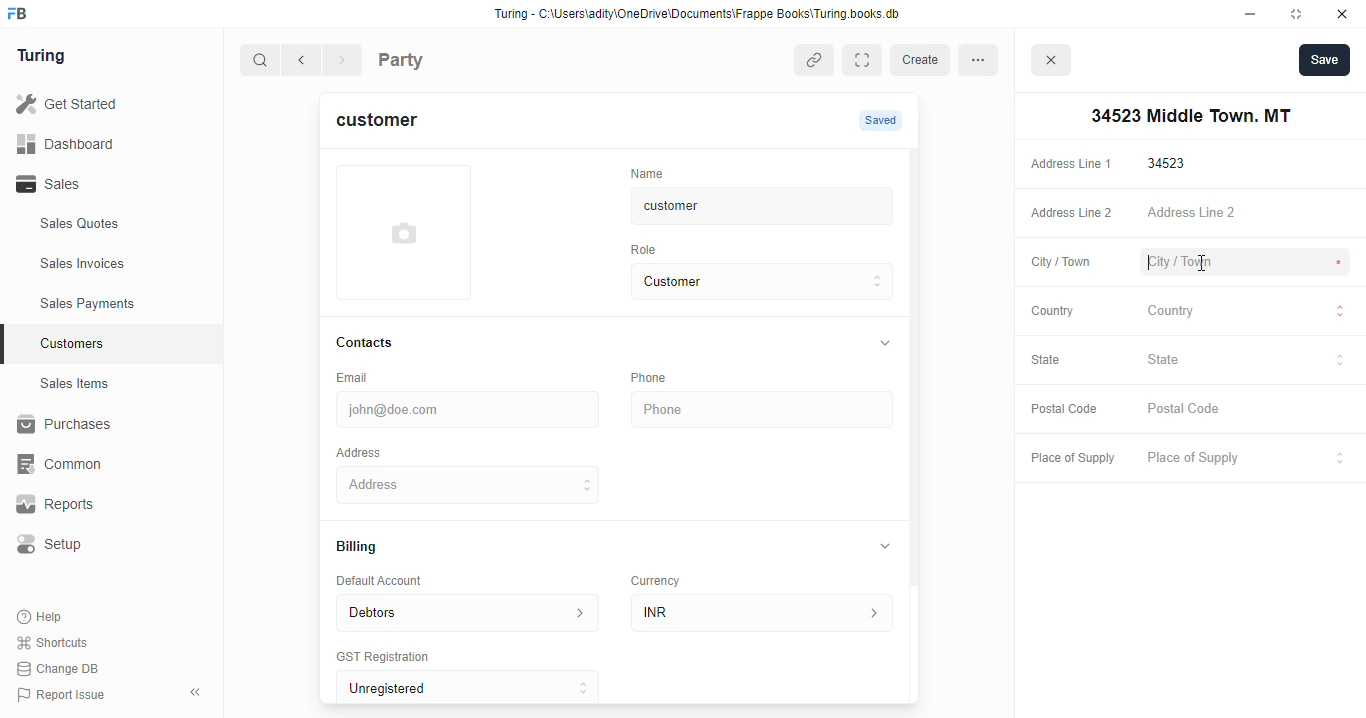 The height and width of the screenshot is (718, 1366). What do you see at coordinates (650, 249) in the screenshot?
I see `Role` at bounding box center [650, 249].